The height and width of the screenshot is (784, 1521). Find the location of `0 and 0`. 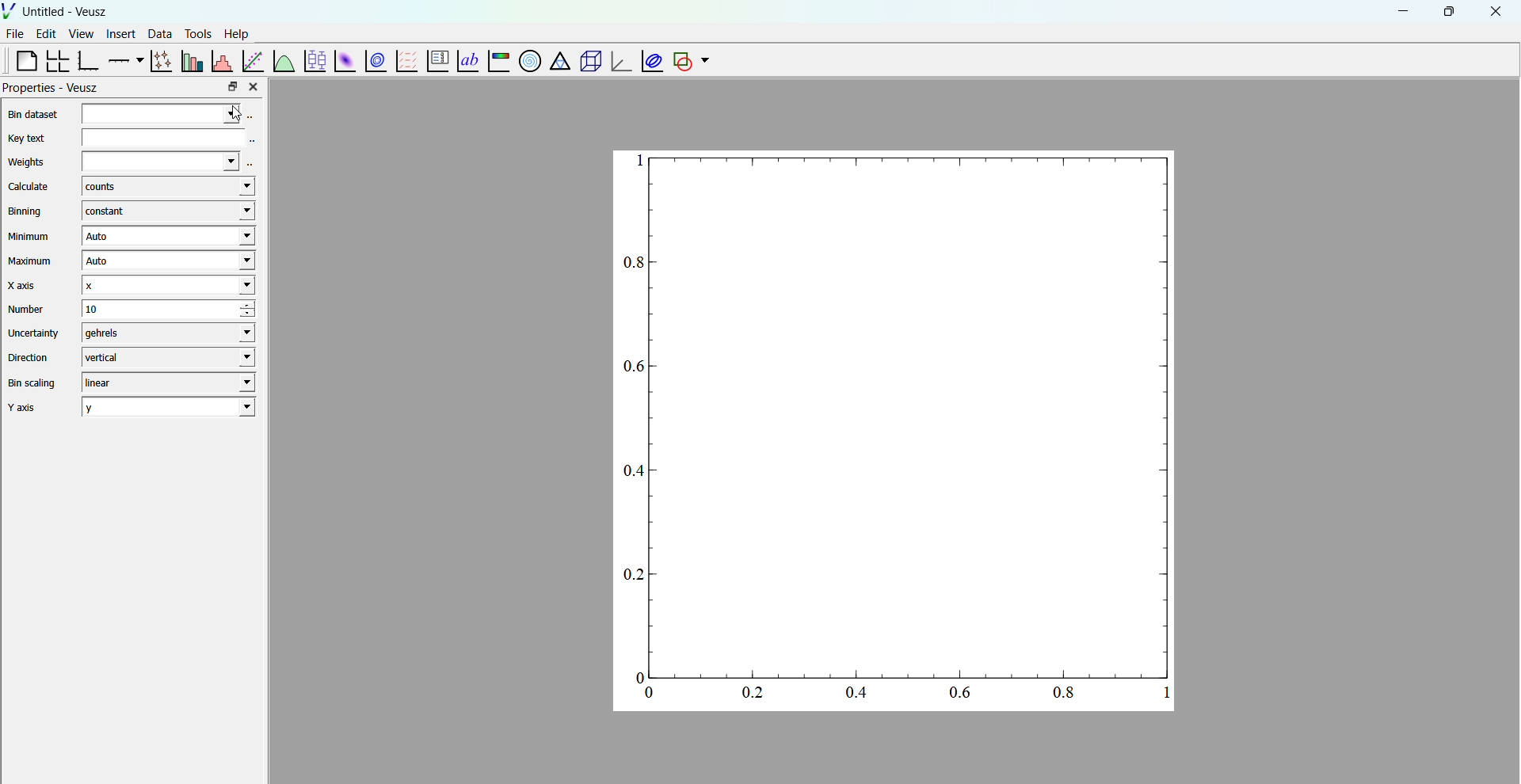

0 and 0 is located at coordinates (646, 686).